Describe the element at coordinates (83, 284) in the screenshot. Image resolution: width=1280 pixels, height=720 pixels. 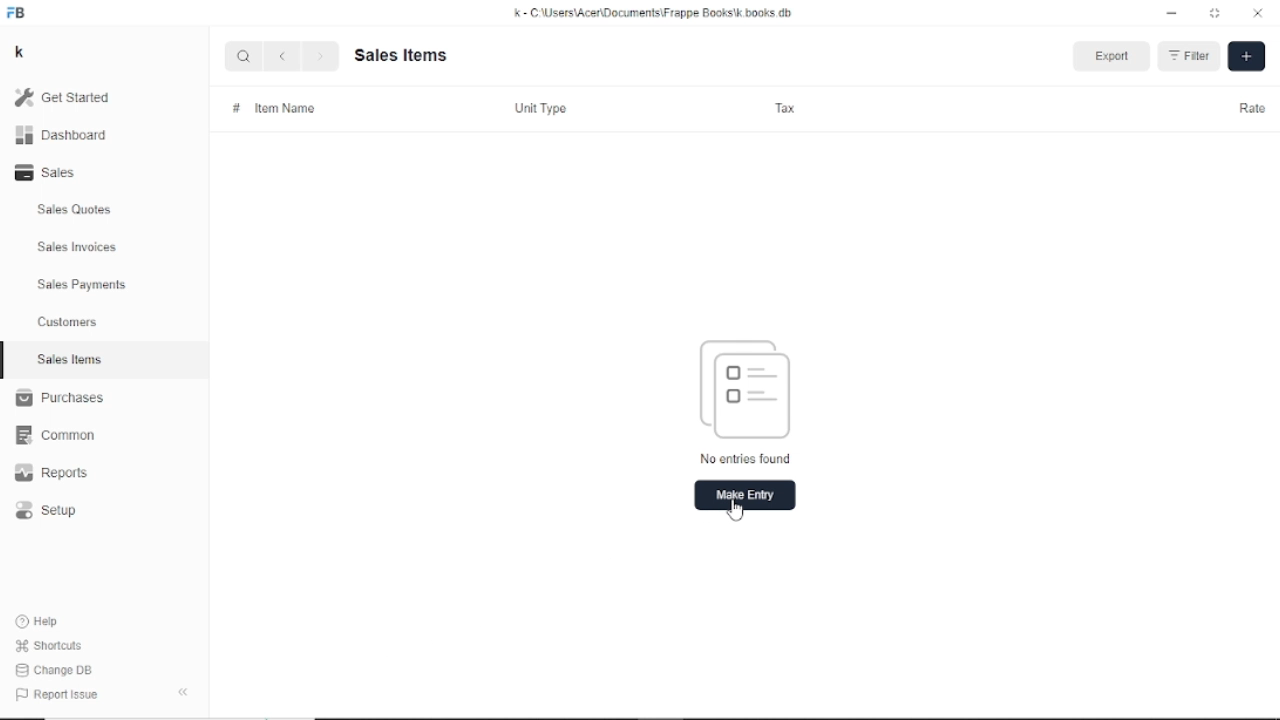
I see `Sales Payments` at that location.